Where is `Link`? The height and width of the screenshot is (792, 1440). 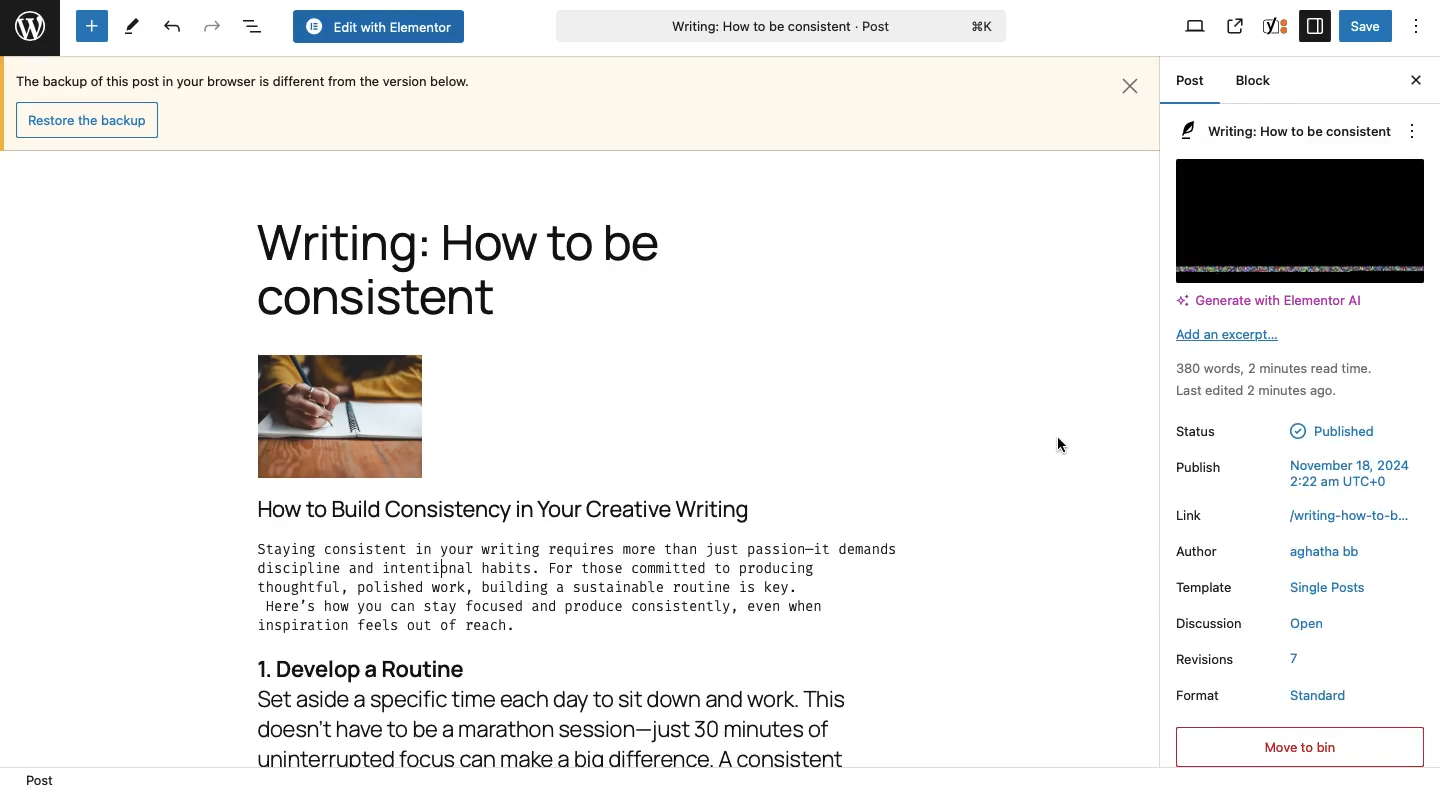 Link is located at coordinates (1293, 514).